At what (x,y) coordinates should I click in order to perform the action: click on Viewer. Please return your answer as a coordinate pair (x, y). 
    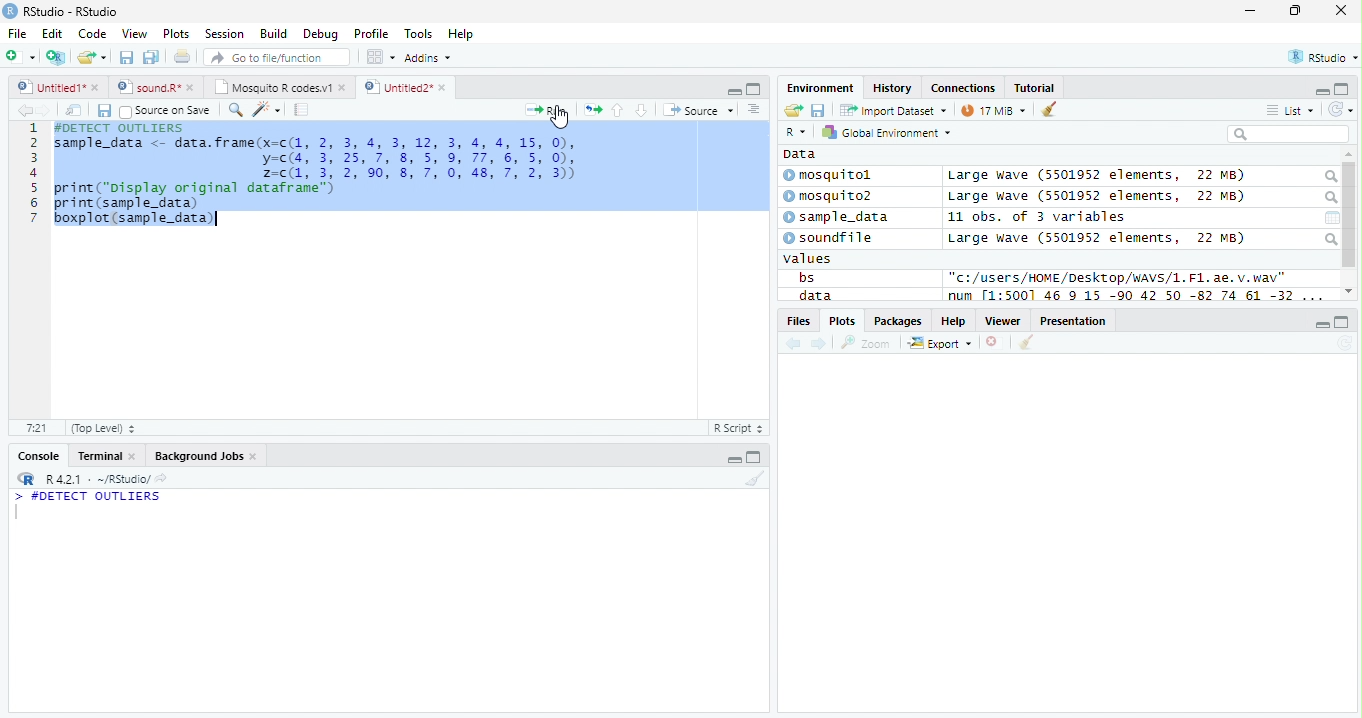
    Looking at the image, I should click on (1003, 321).